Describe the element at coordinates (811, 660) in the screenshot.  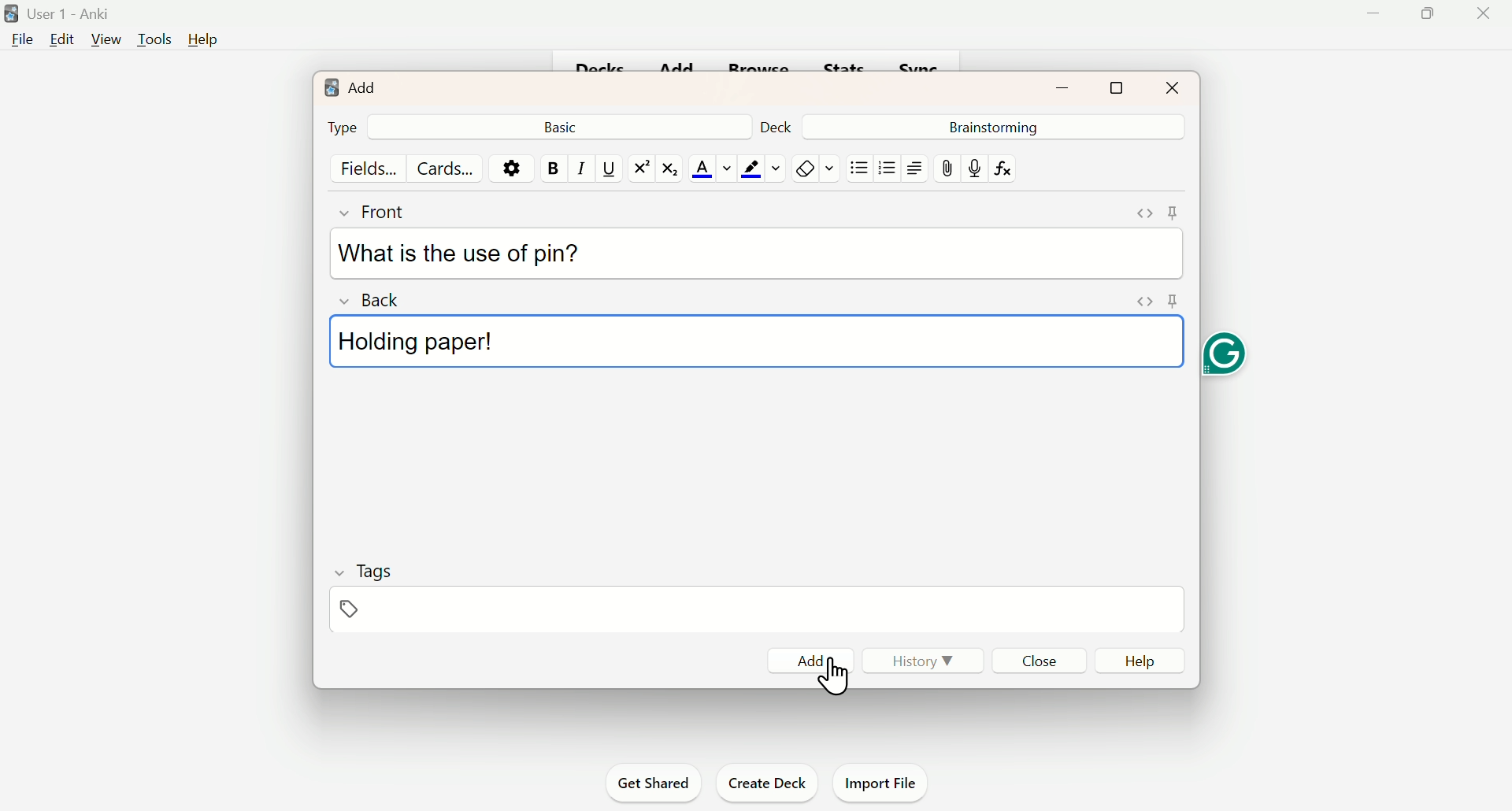
I see `Add` at that location.